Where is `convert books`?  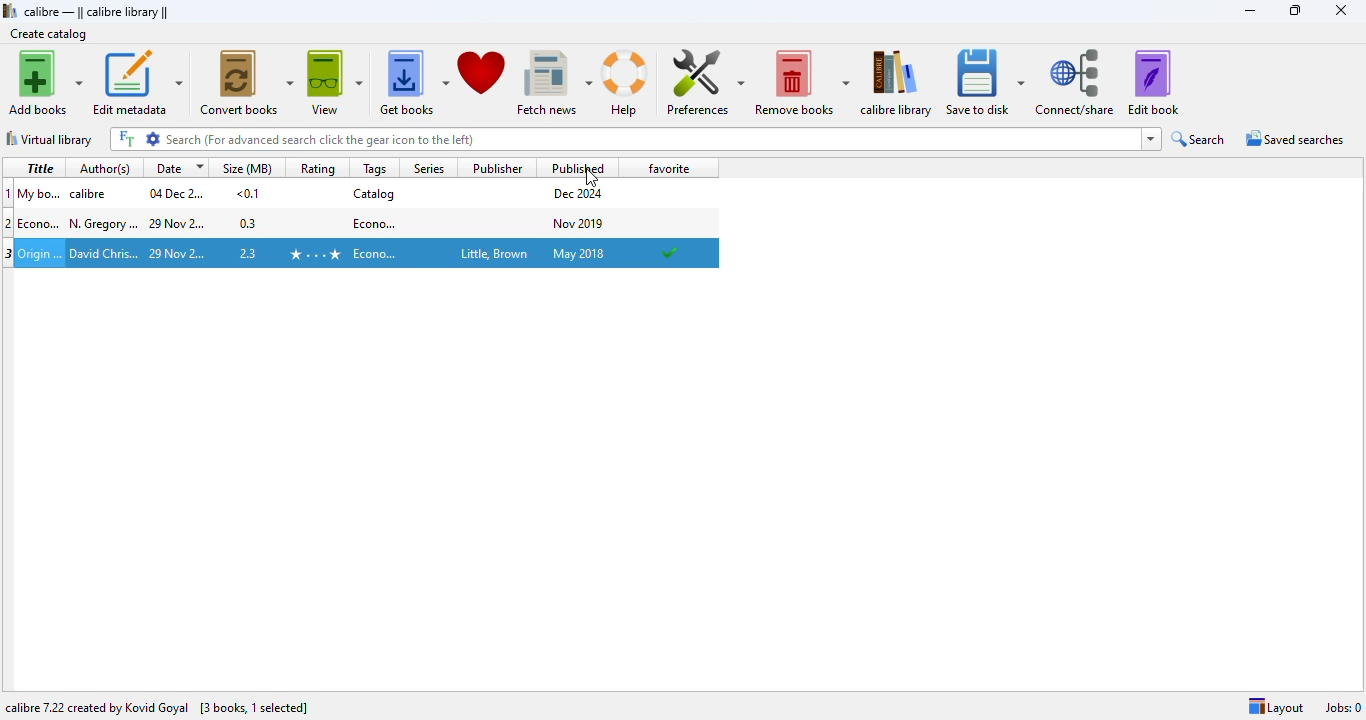
convert books is located at coordinates (247, 83).